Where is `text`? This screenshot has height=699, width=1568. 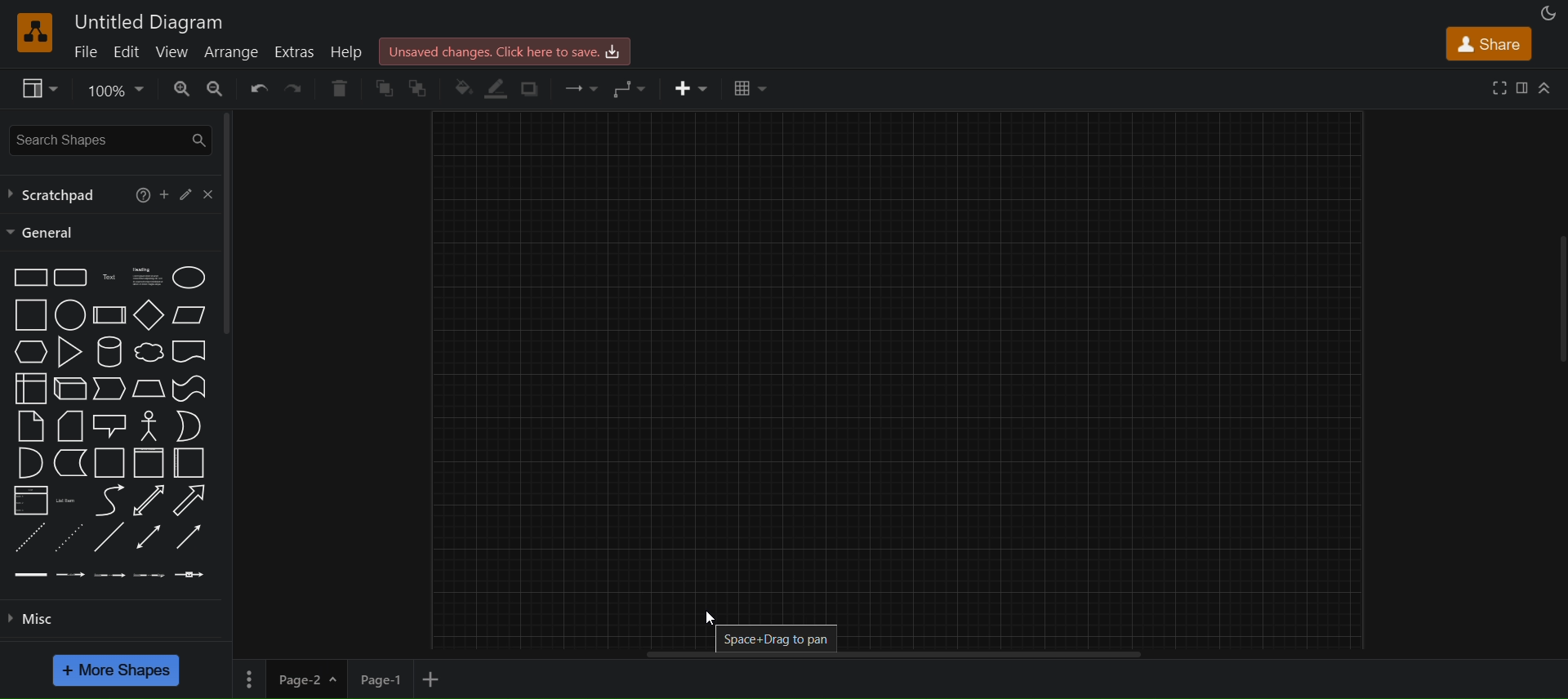 text is located at coordinates (110, 277).